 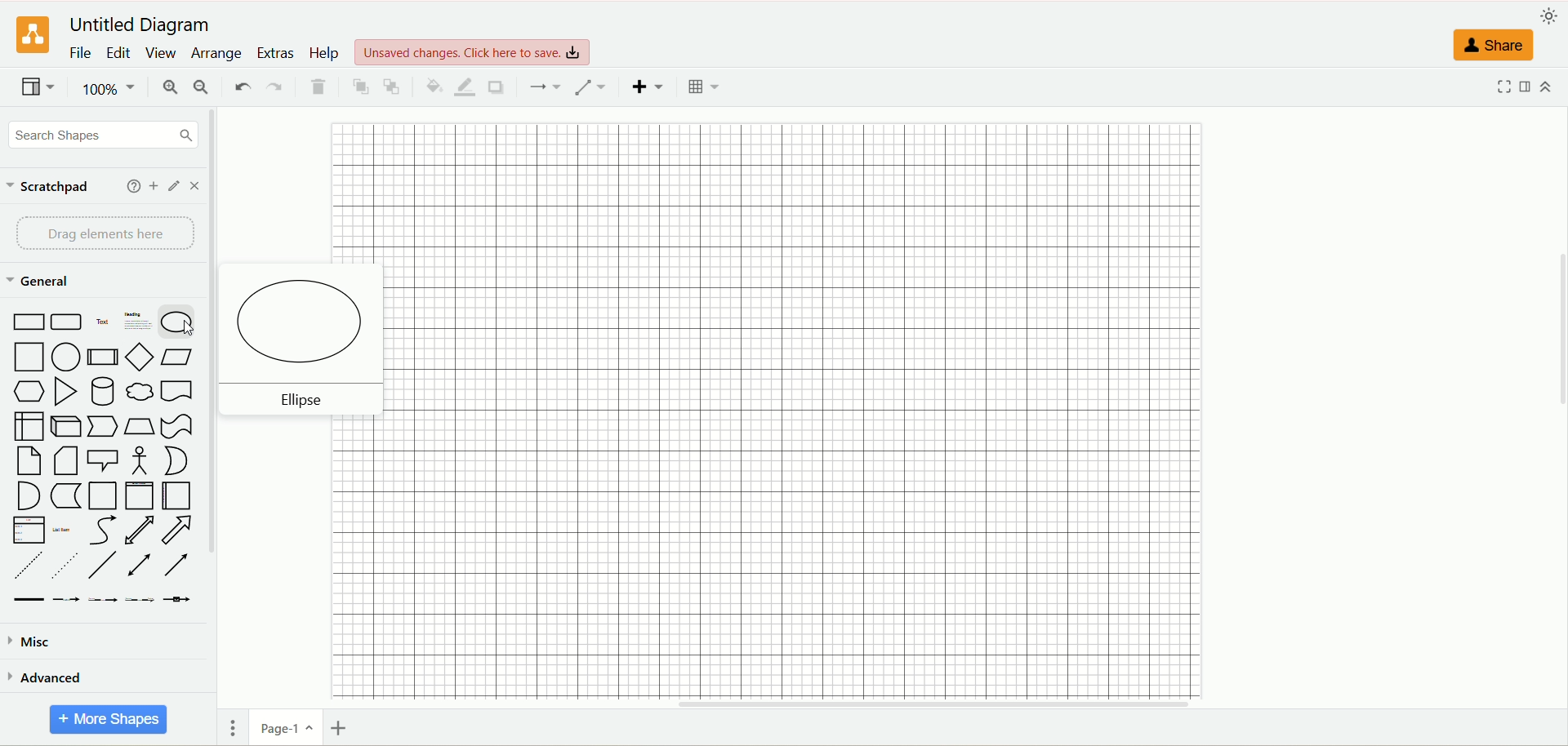 I want to click on tape, so click(x=176, y=424).